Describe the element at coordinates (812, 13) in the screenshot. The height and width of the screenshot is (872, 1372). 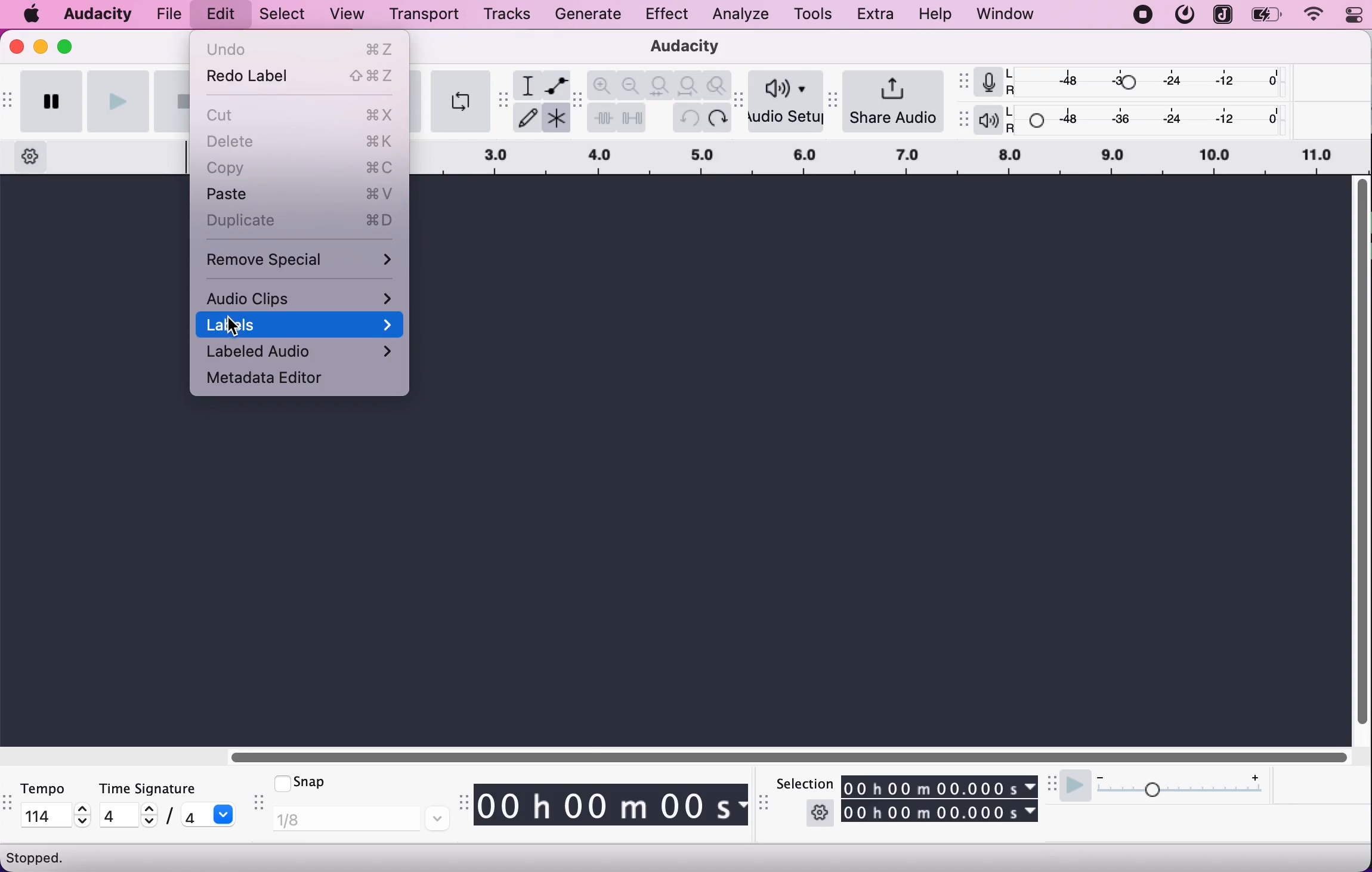
I see `tools` at that location.